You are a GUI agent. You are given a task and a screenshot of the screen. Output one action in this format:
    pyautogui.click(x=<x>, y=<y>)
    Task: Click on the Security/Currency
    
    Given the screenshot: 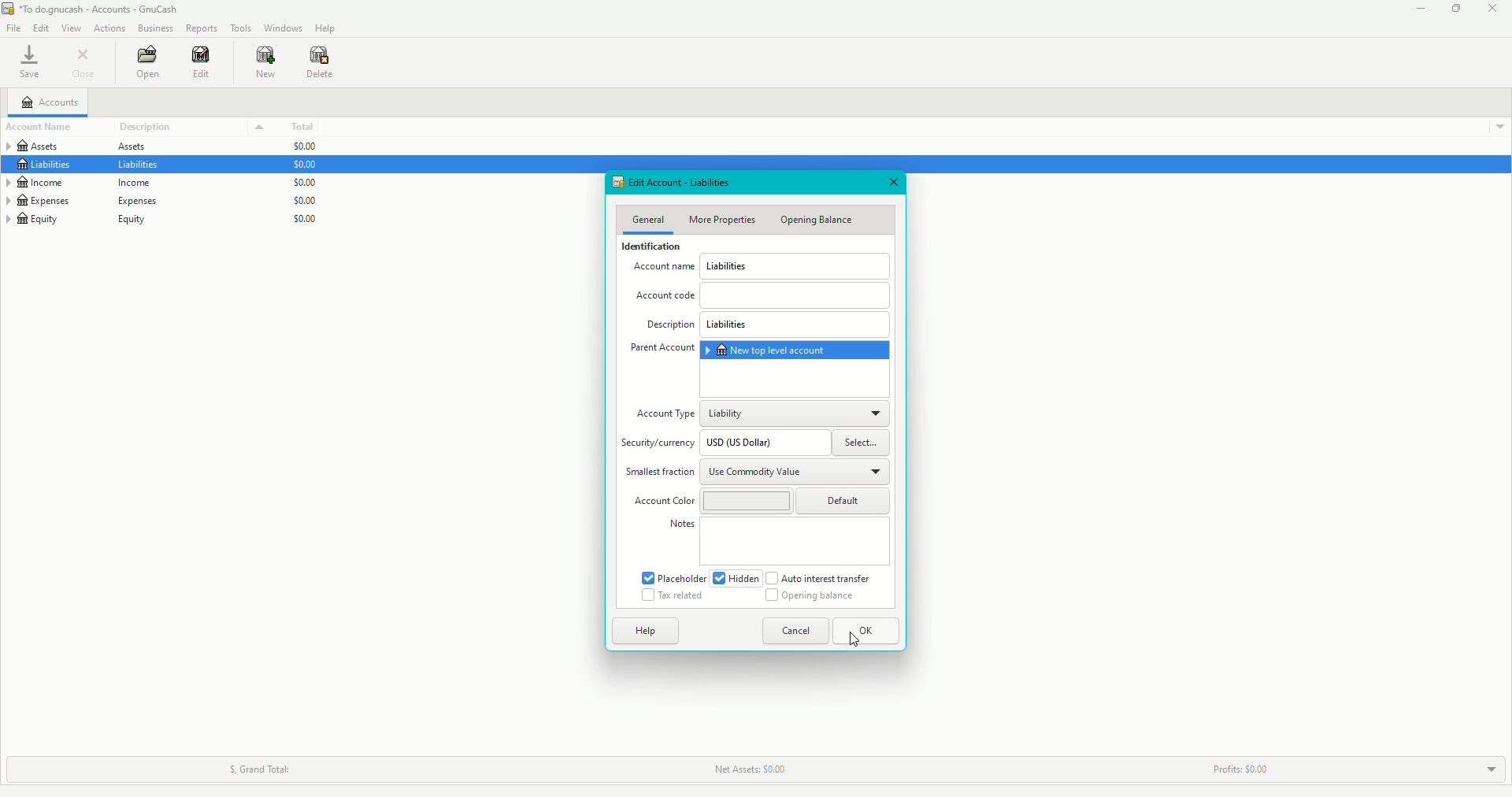 What is the action you would take?
    pyautogui.click(x=658, y=447)
    